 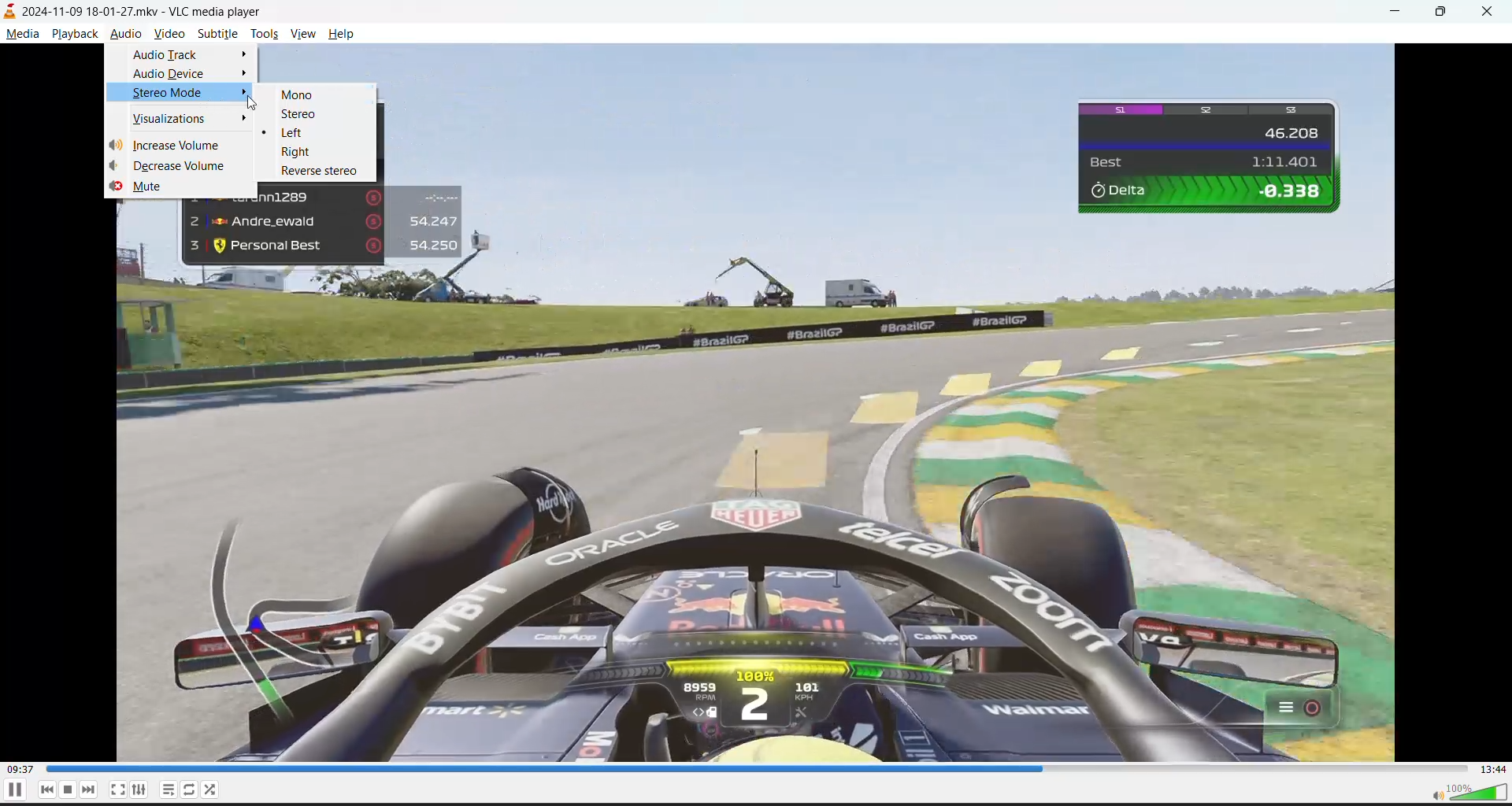 What do you see at coordinates (251, 101) in the screenshot?
I see `cursor` at bounding box center [251, 101].